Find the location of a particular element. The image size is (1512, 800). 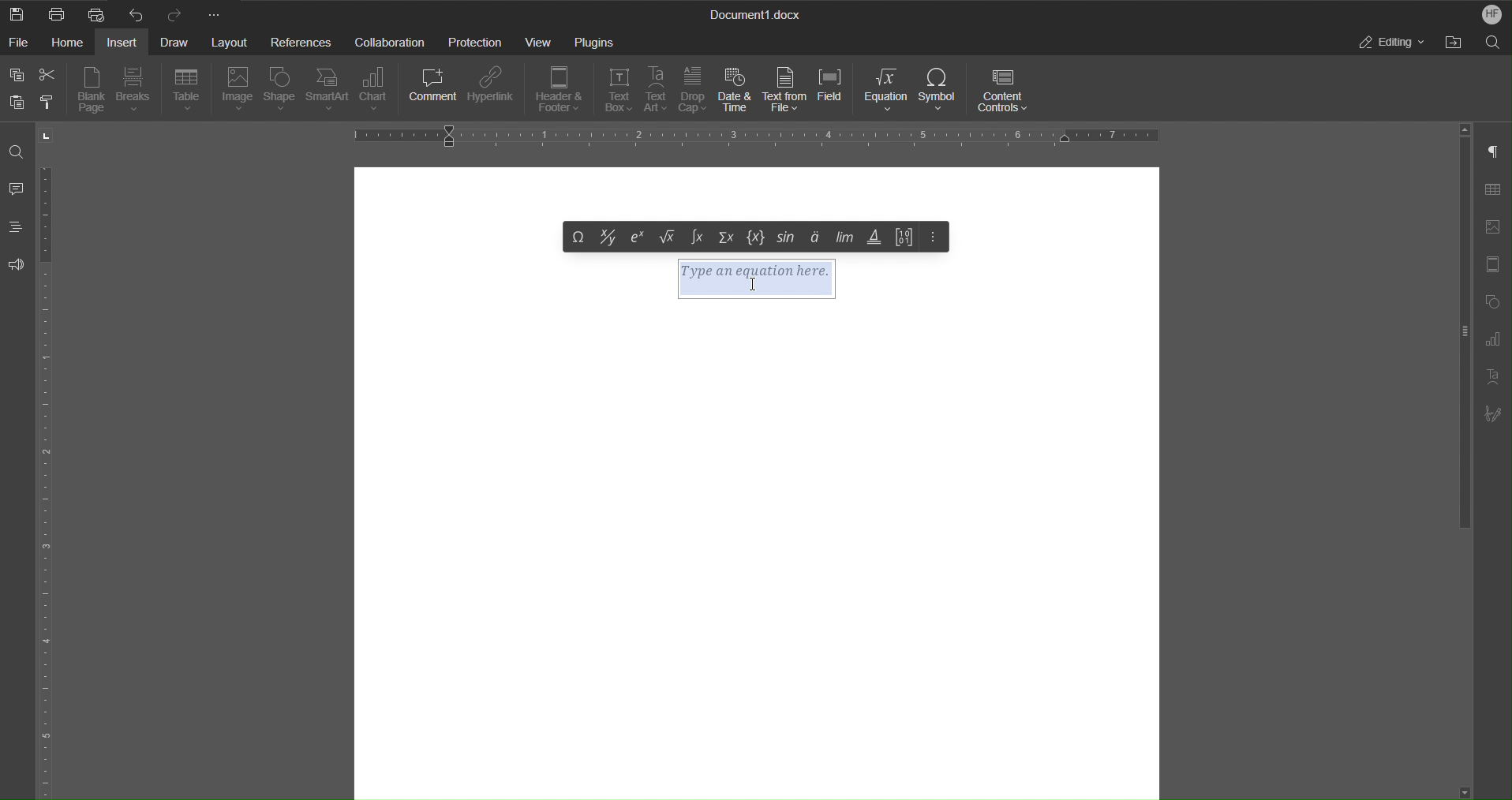

New is located at coordinates (16, 15).